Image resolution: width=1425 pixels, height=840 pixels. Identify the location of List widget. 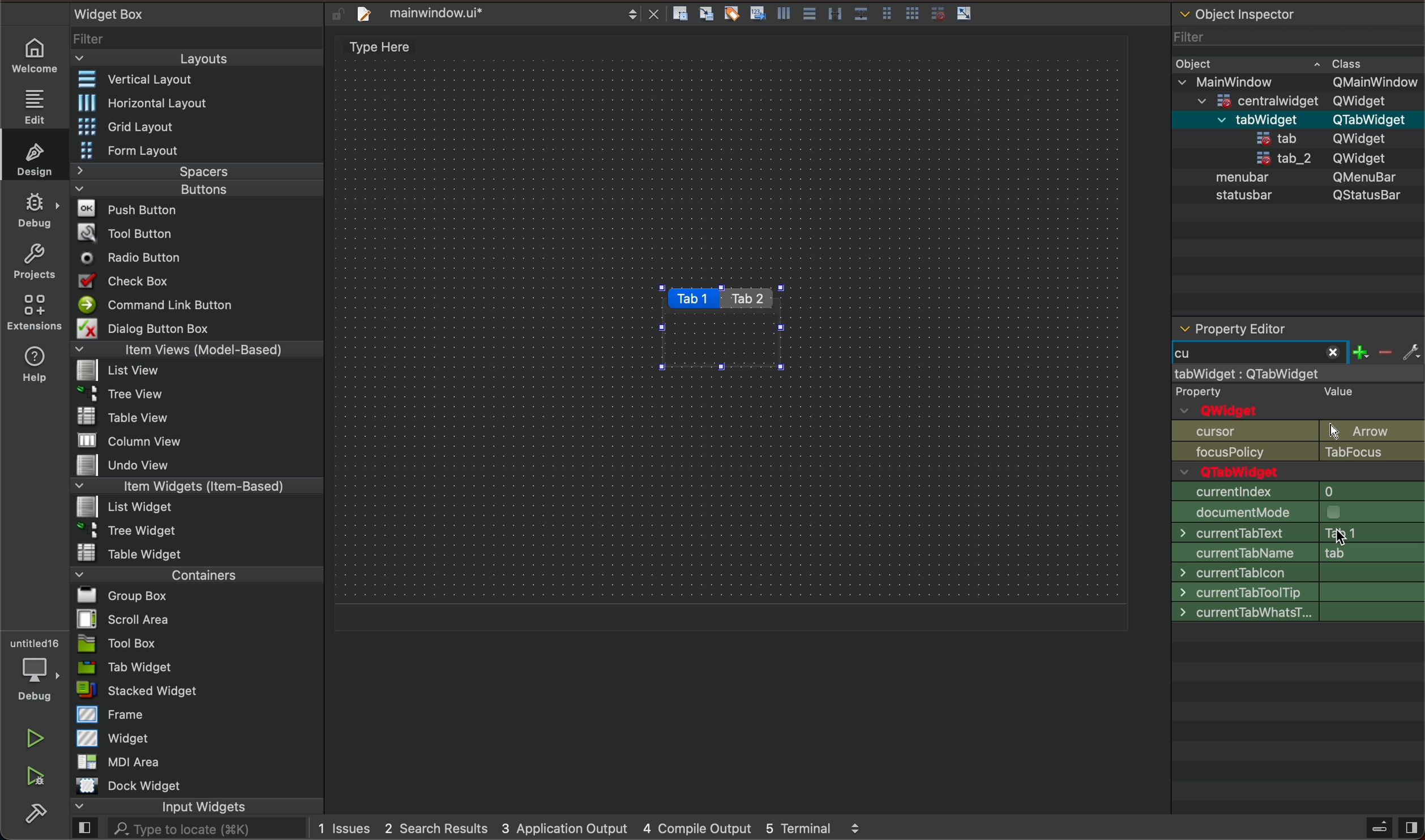
(119, 507).